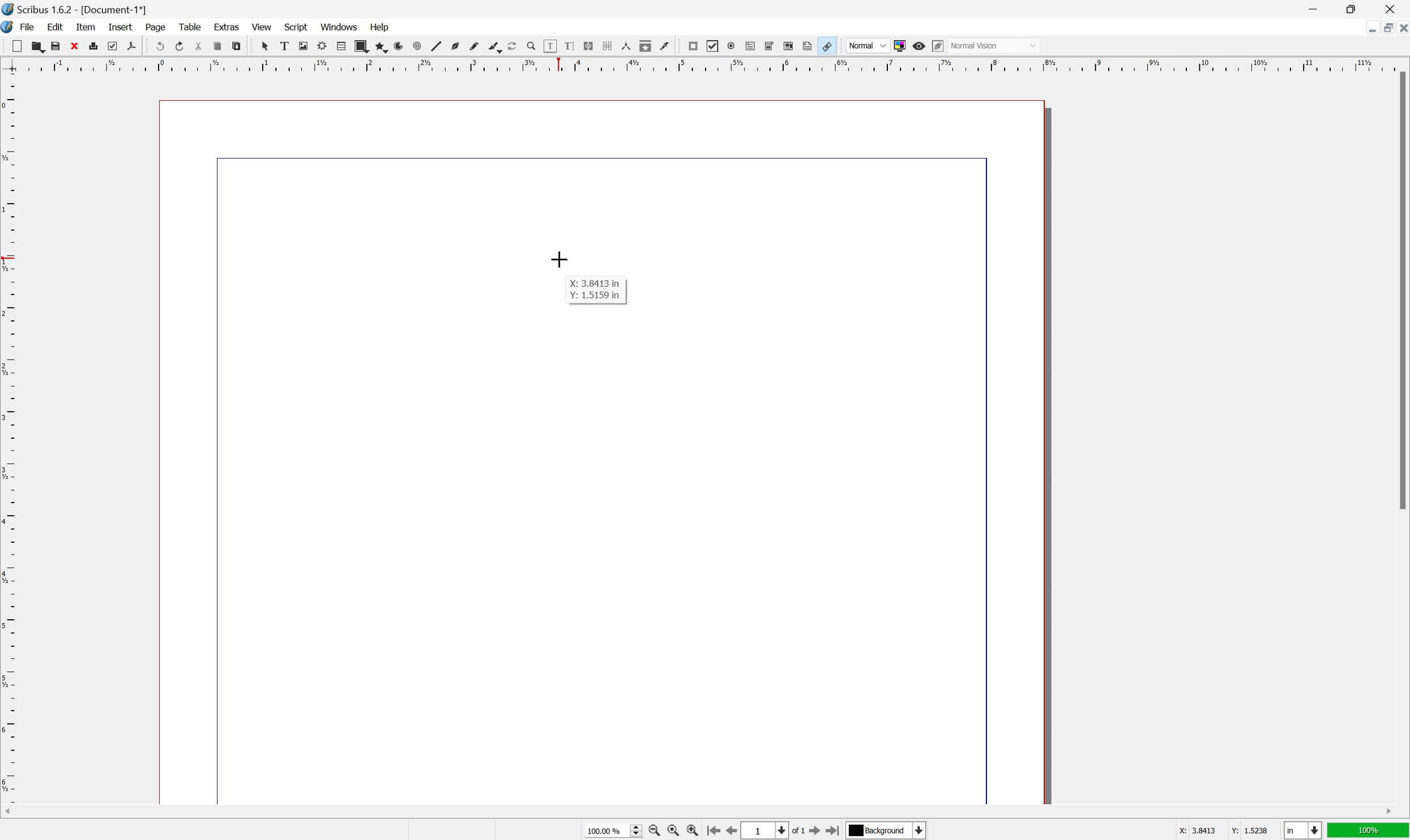  Describe the element at coordinates (1401, 290) in the screenshot. I see `scroll bar` at that location.